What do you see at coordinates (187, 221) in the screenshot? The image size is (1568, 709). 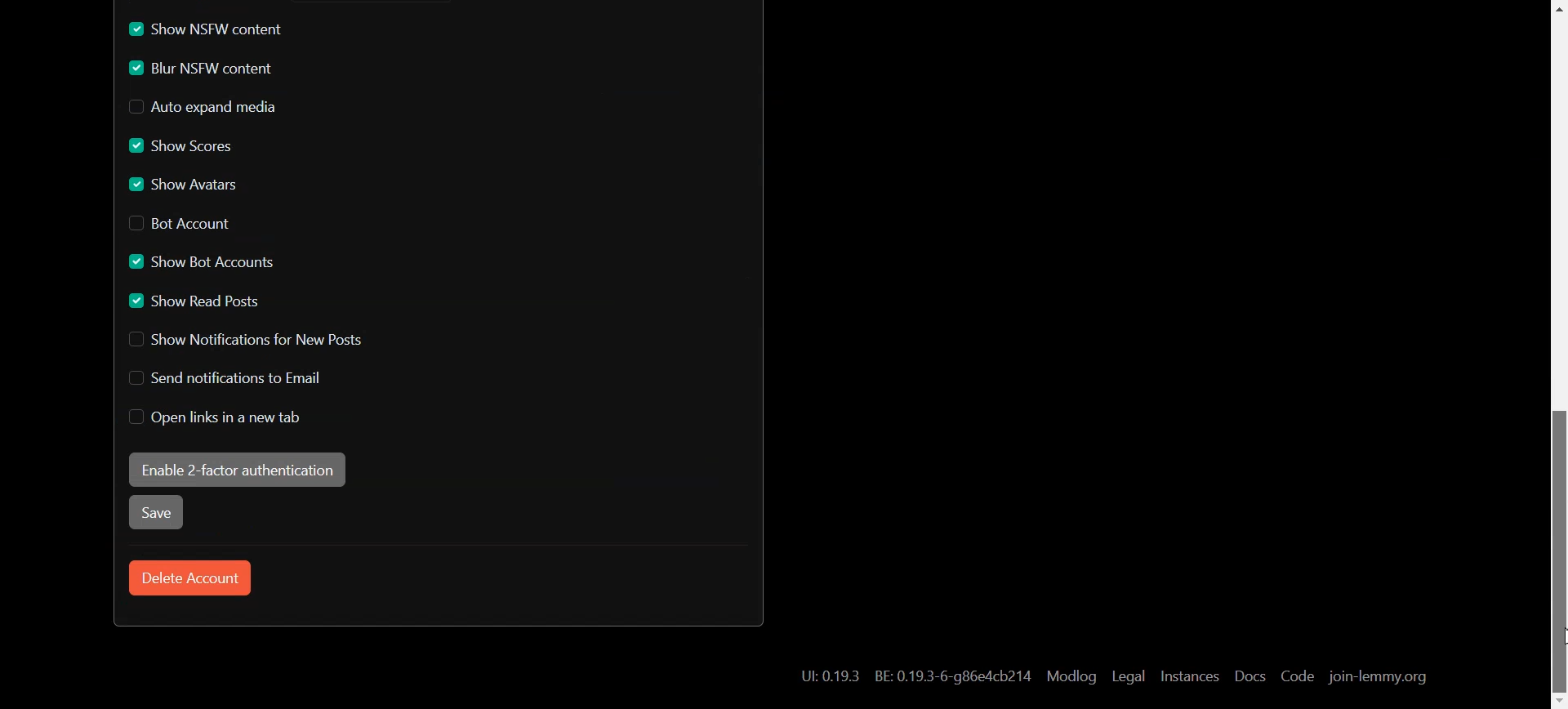 I see `Disable Bot Account` at bounding box center [187, 221].